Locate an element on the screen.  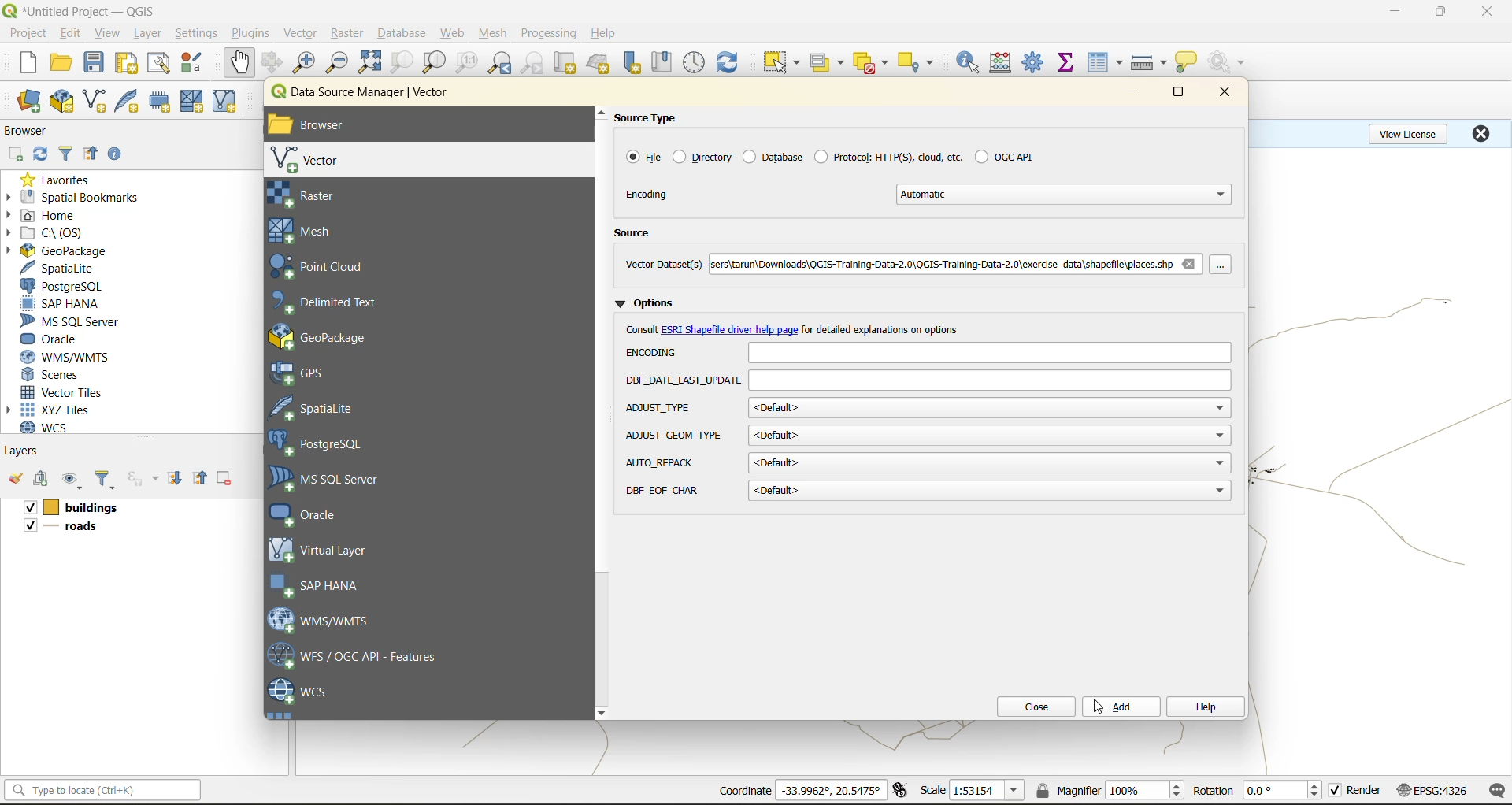
wcs is located at coordinates (53, 428).